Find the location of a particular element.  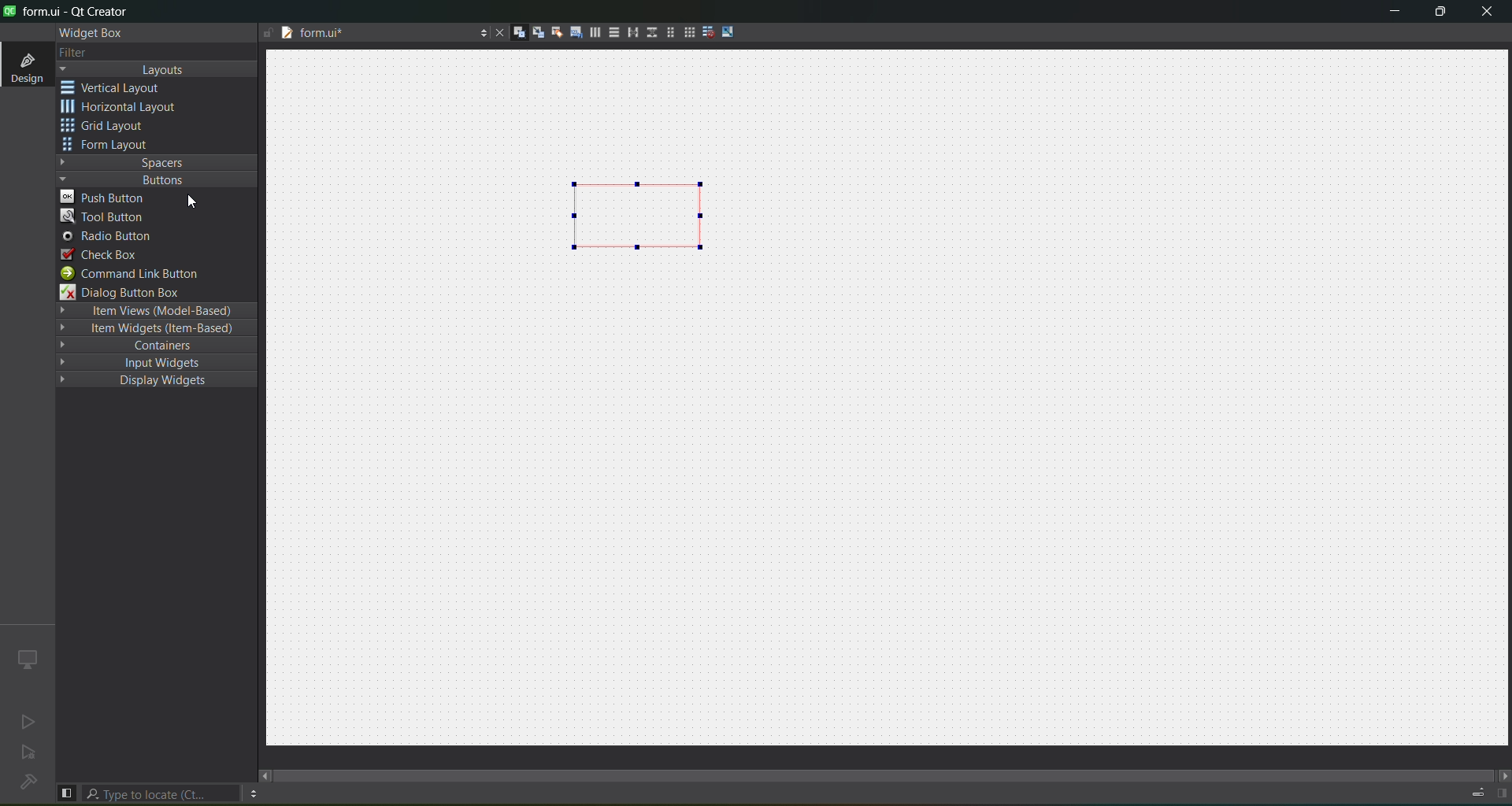

vertical splitter is located at coordinates (650, 31).